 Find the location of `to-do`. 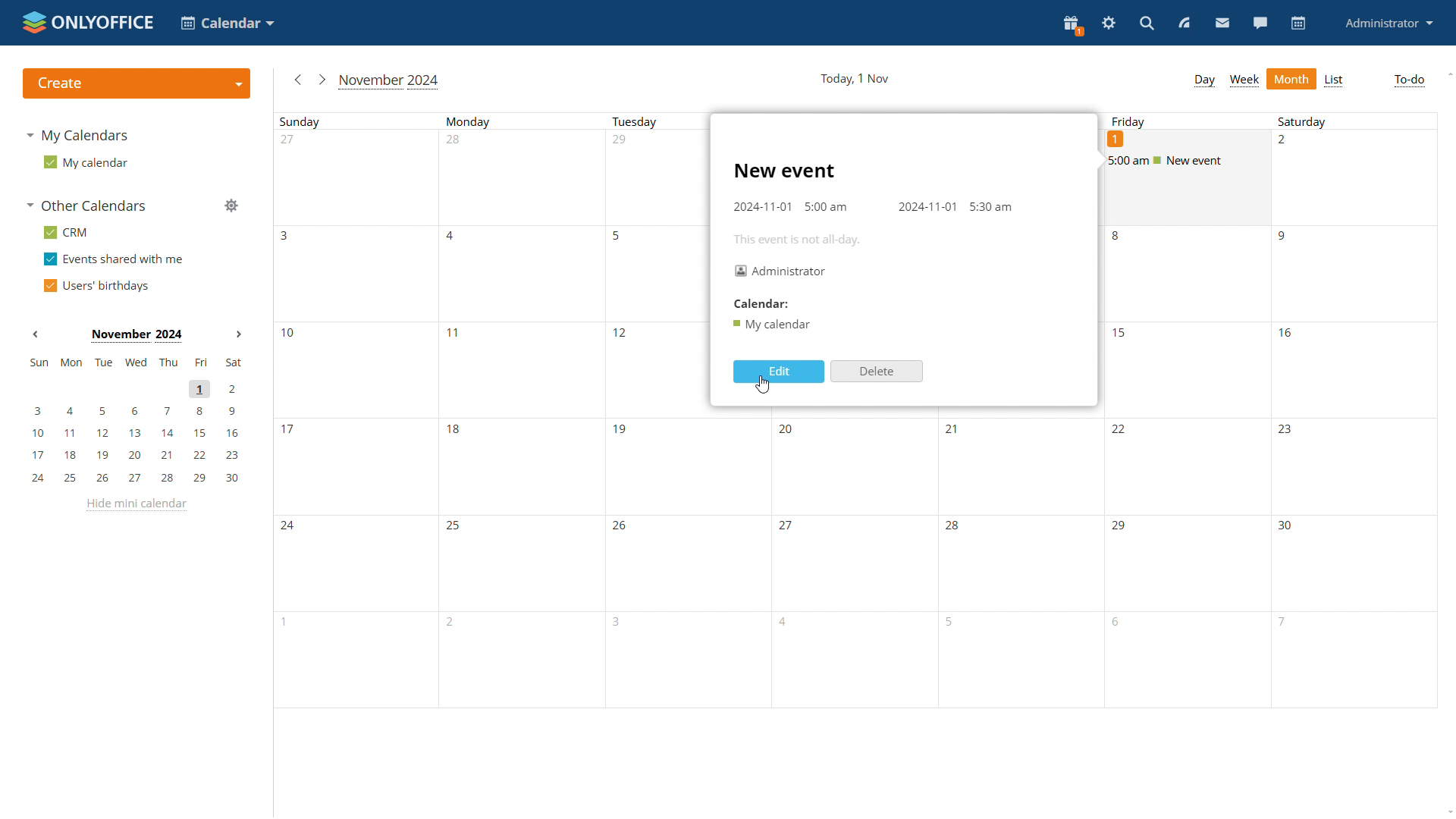

to-do is located at coordinates (1409, 80).